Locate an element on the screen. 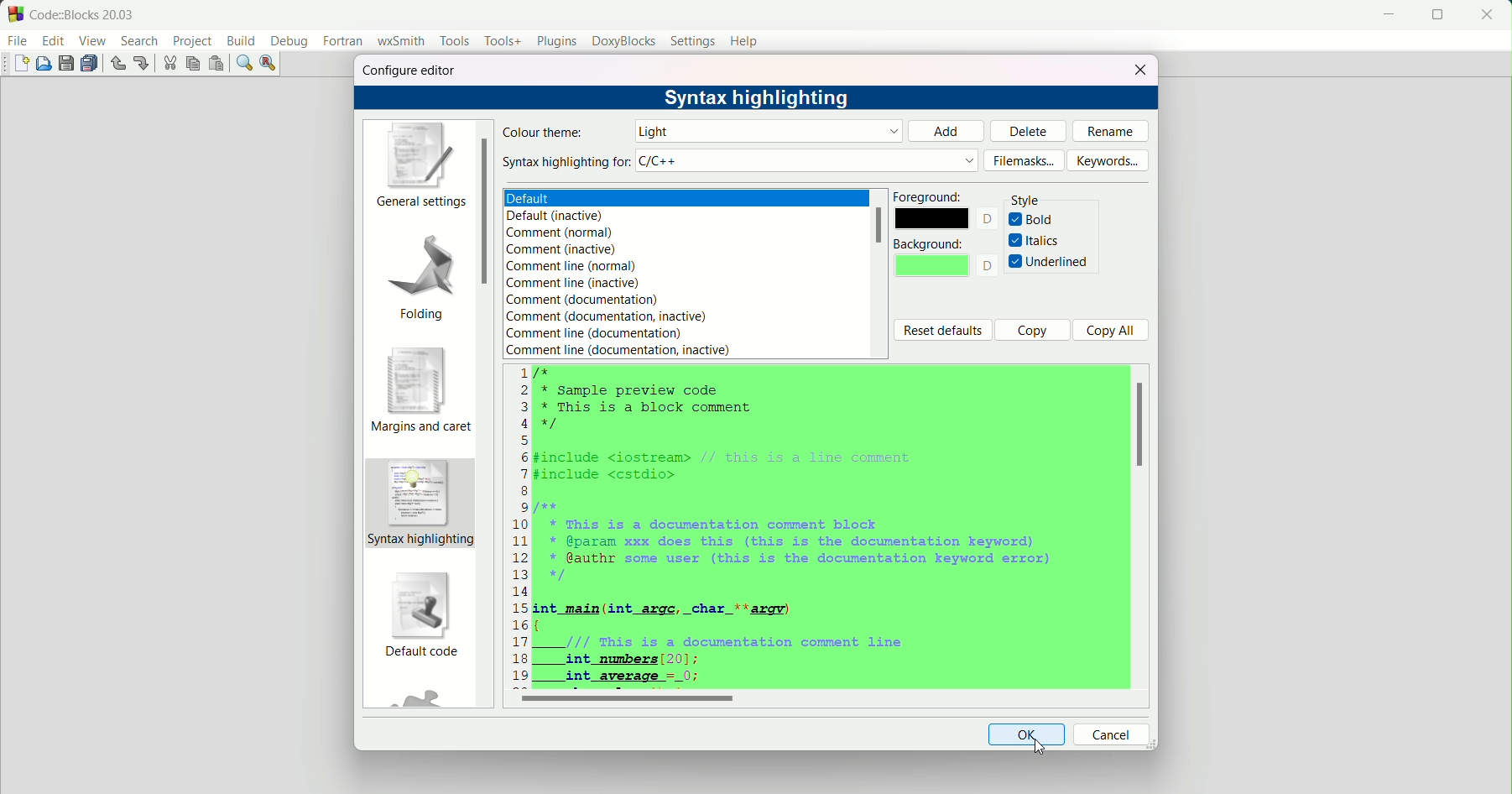 The height and width of the screenshot is (794, 1512). fortran is located at coordinates (343, 42).